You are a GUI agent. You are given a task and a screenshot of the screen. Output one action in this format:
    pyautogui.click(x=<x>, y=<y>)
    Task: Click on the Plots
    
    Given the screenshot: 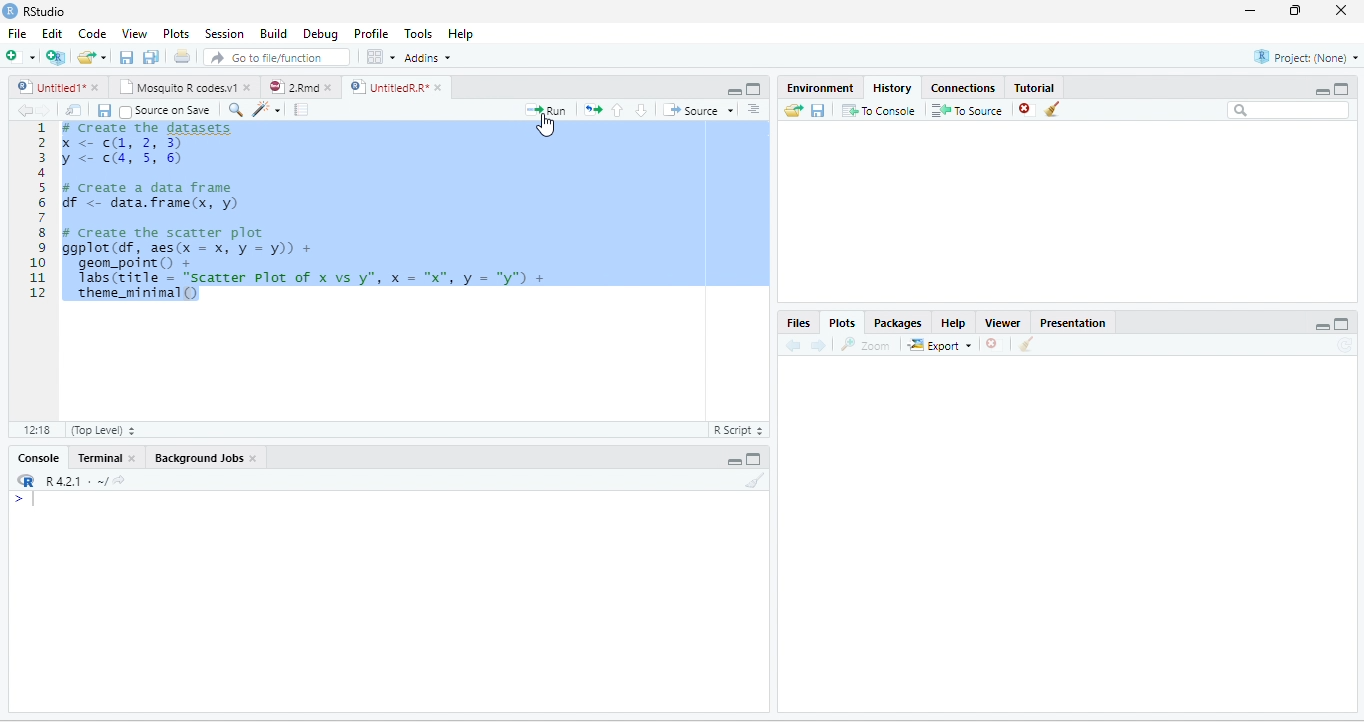 What is the action you would take?
    pyautogui.click(x=842, y=321)
    